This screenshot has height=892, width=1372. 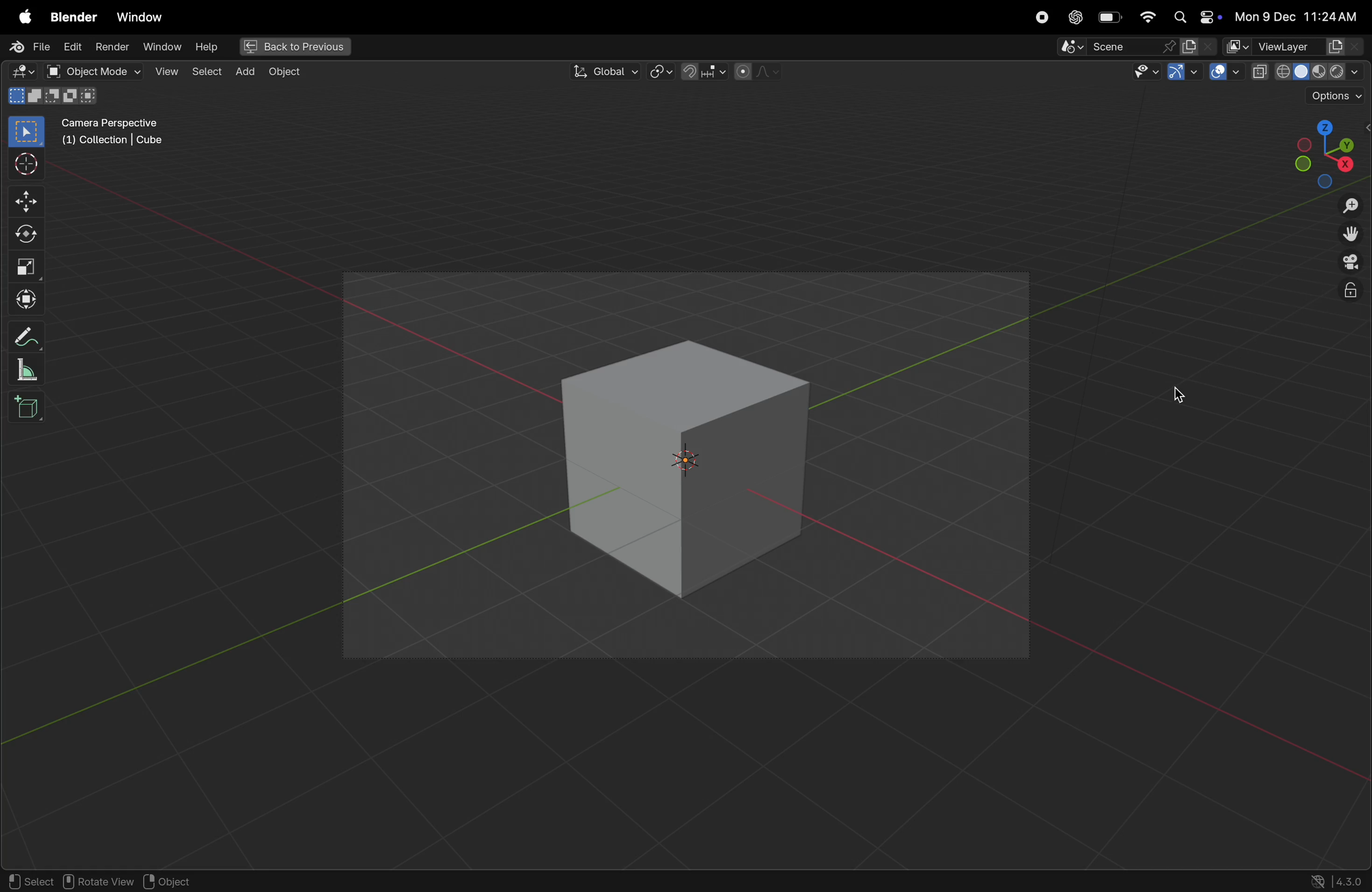 I want to click on Global, so click(x=605, y=70).